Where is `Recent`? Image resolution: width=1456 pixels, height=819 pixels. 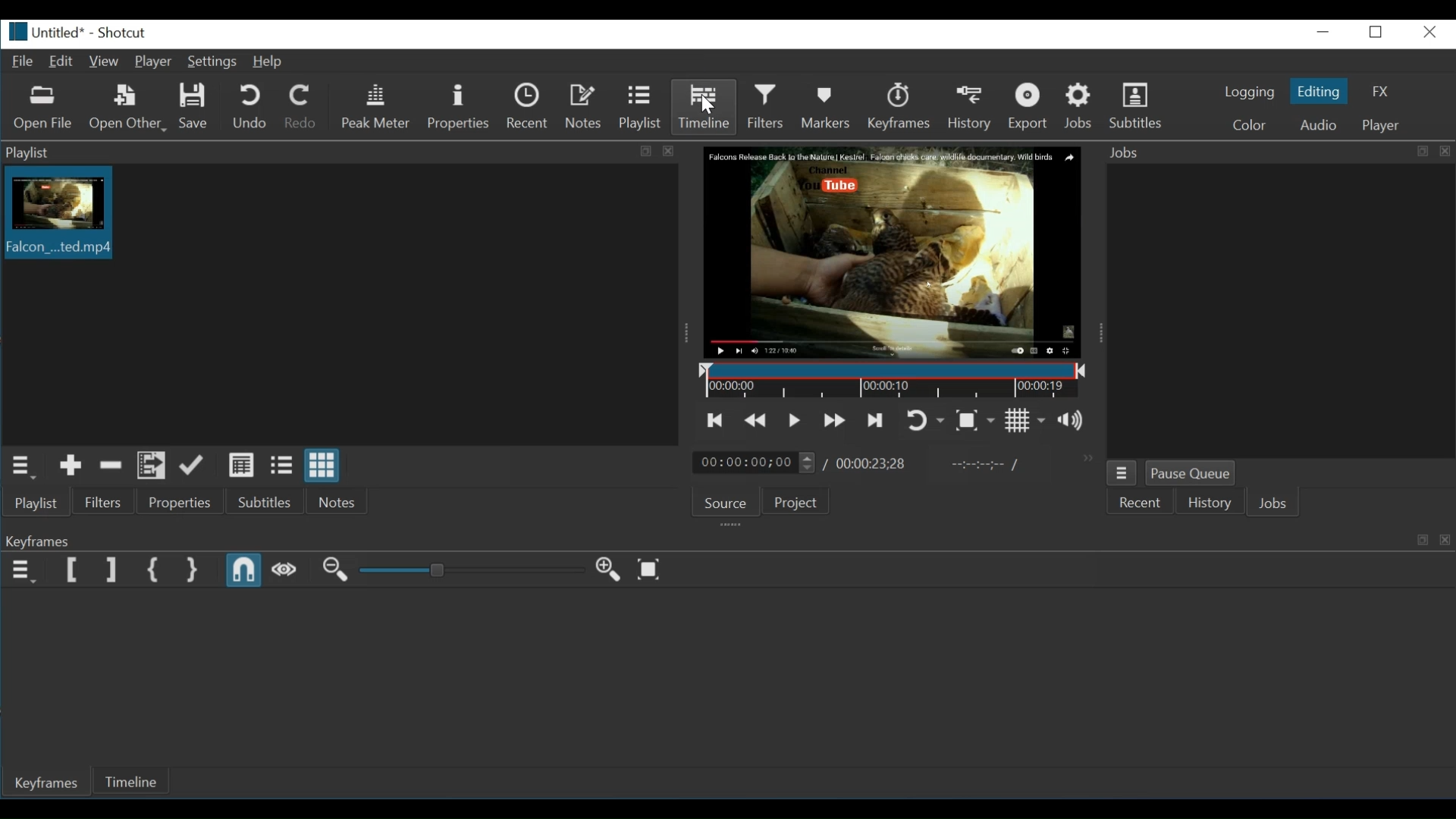
Recent is located at coordinates (529, 106).